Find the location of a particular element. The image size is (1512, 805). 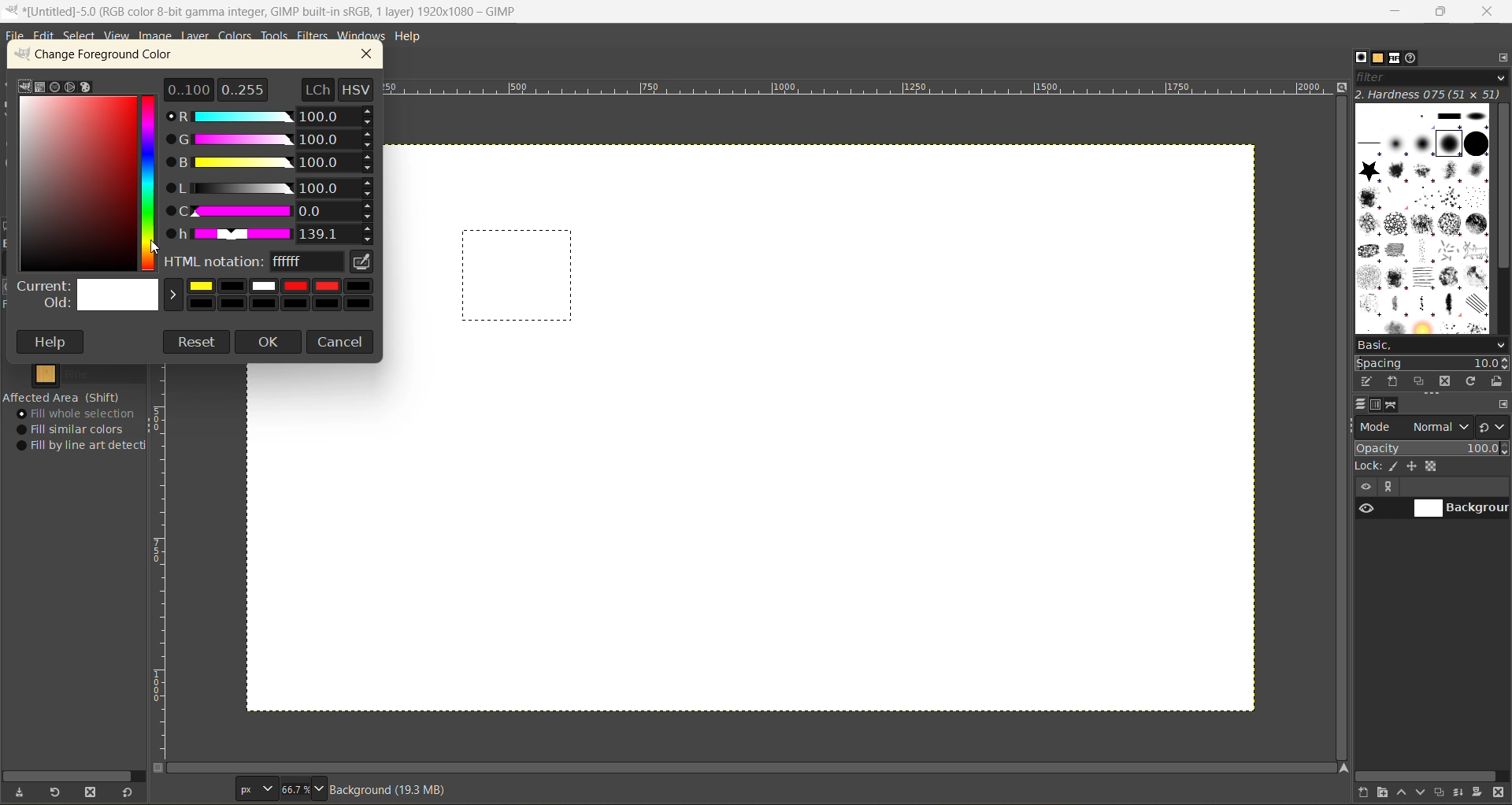

spacing is located at coordinates (1433, 362).